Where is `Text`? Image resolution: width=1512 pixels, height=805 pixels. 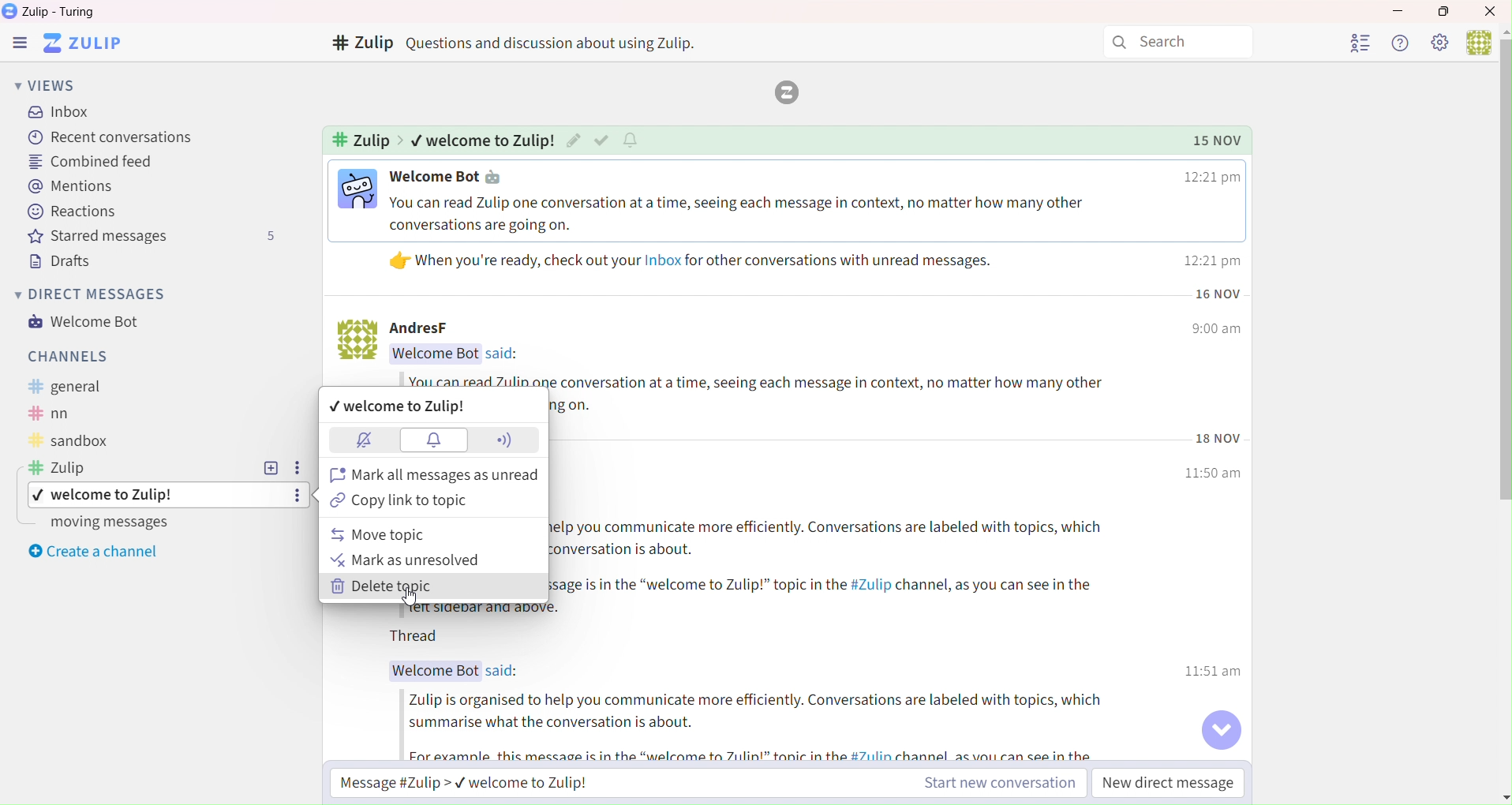
Text is located at coordinates (830, 395).